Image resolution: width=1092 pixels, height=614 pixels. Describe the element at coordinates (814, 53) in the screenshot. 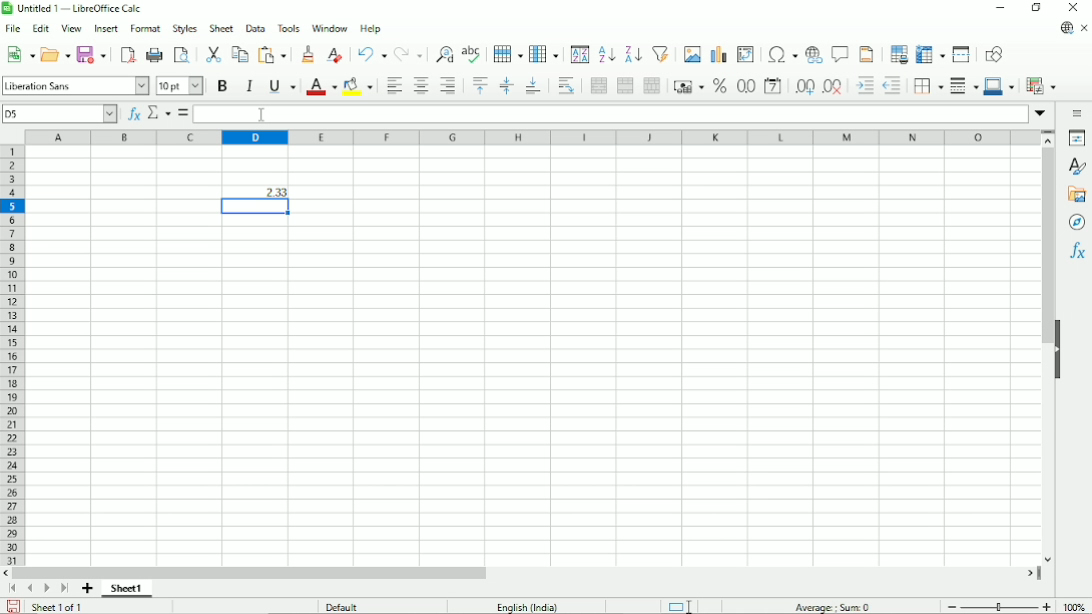

I see `Insert hyperlink` at that location.